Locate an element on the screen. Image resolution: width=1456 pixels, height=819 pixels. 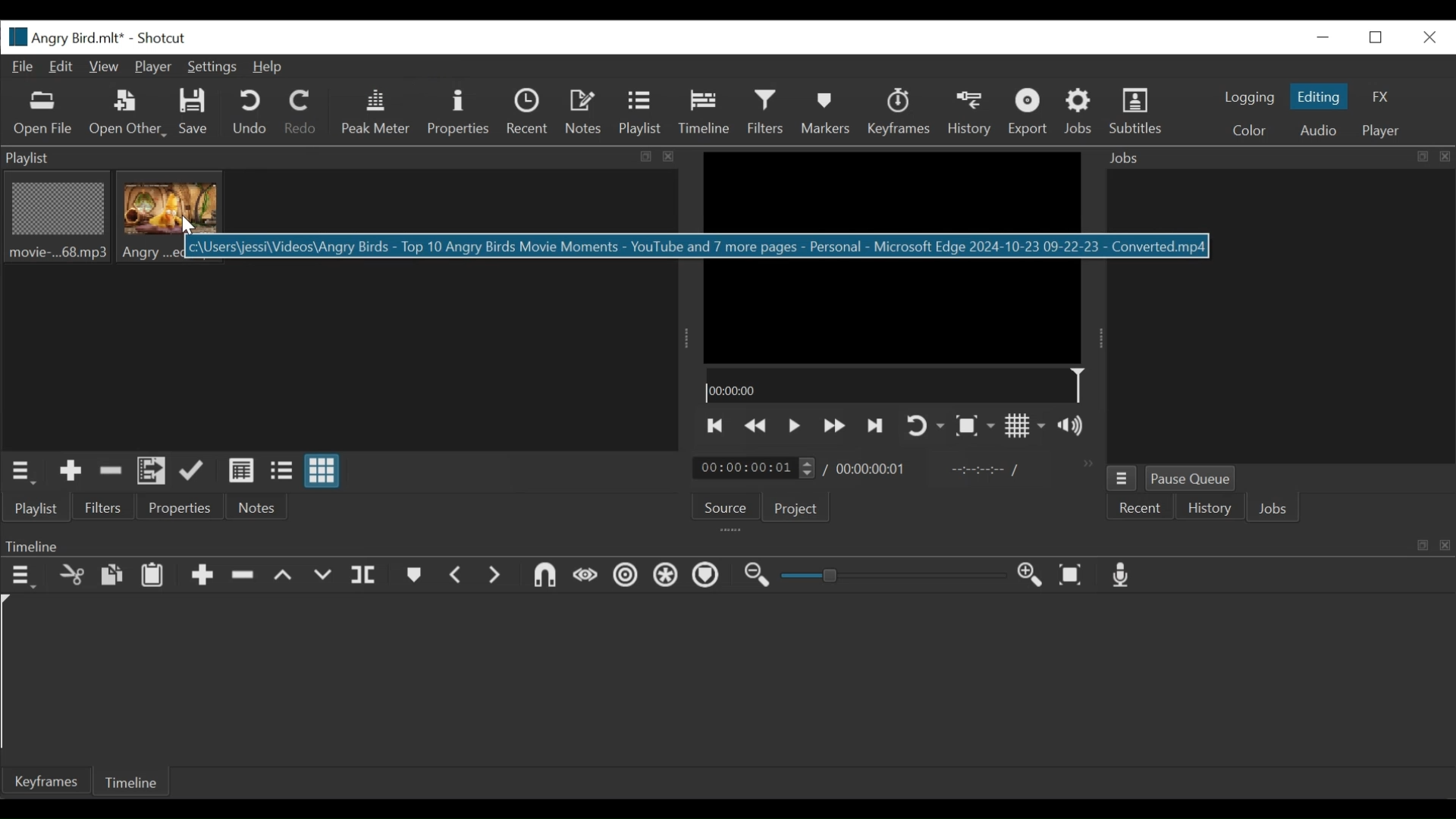
Jobs Menu is located at coordinates (1121, 479).